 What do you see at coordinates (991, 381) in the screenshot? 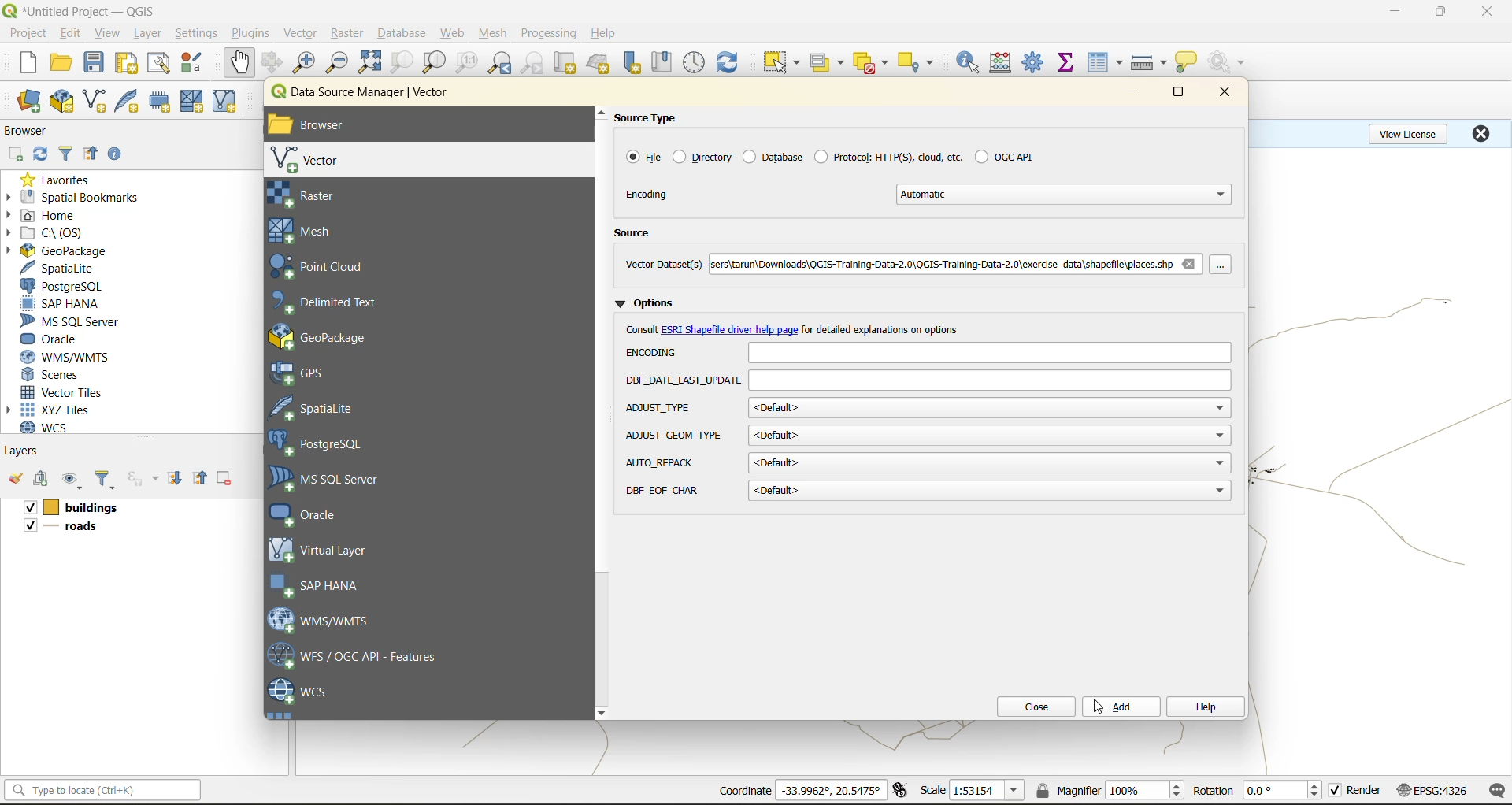
I see `dbf date last update` at bounding box center [991, 381].